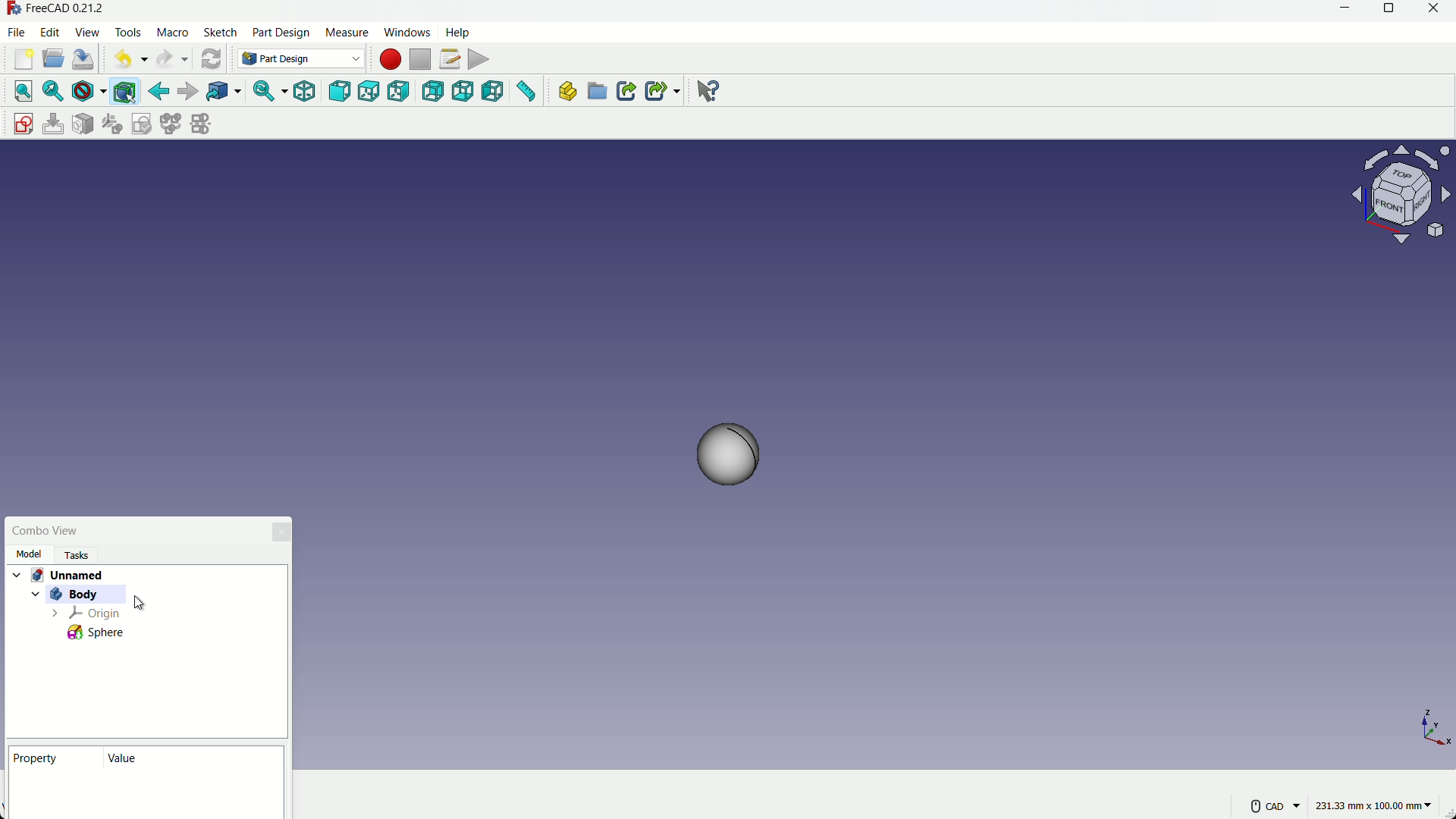 The width and height of the screenshot is (1456, 819). What do you see at coordinates (140, 601) in the screenshot?
I see `cursor` at bounding box center [140, 601].